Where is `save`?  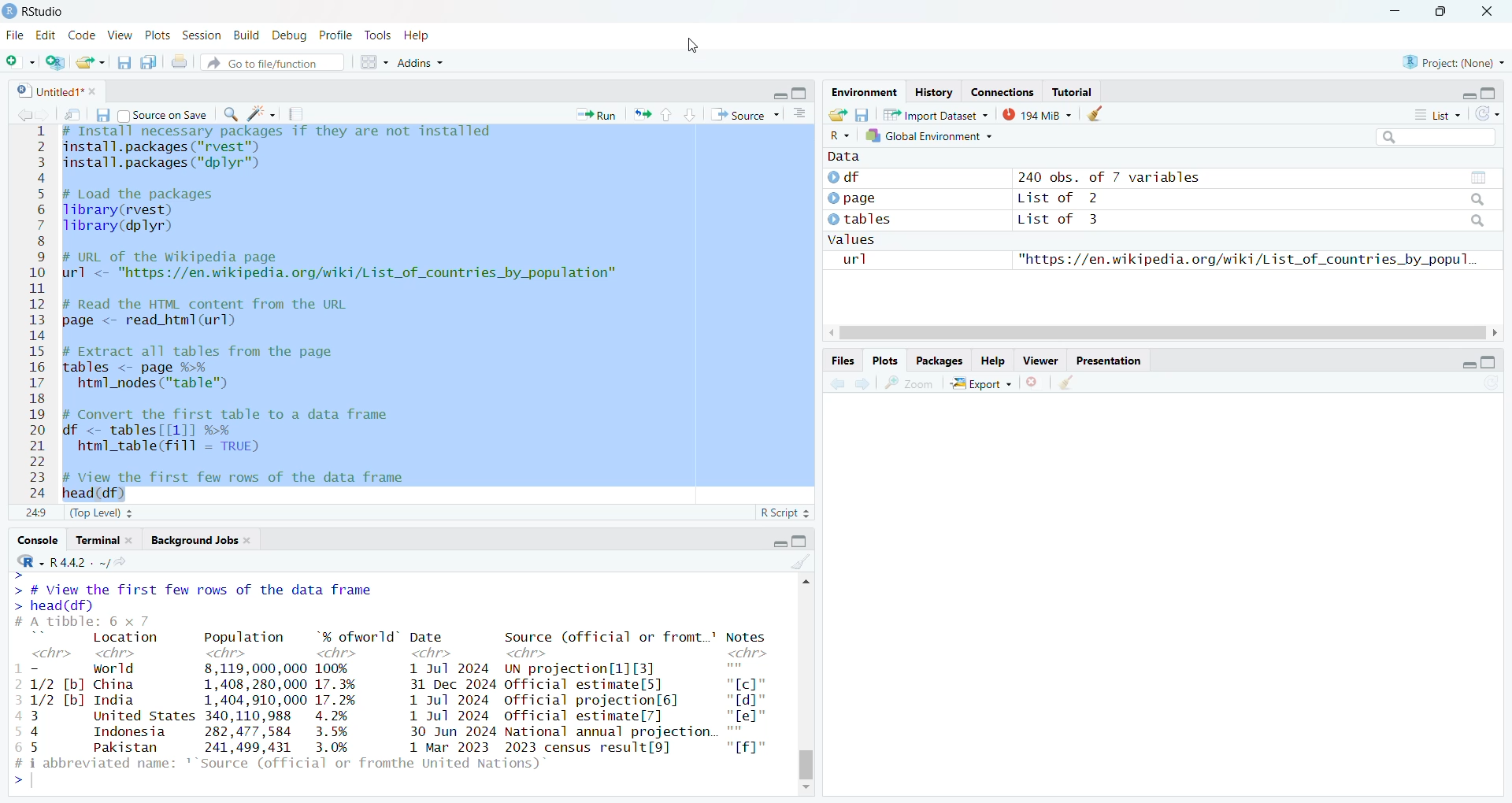 save is located at coordinates (862, 115).